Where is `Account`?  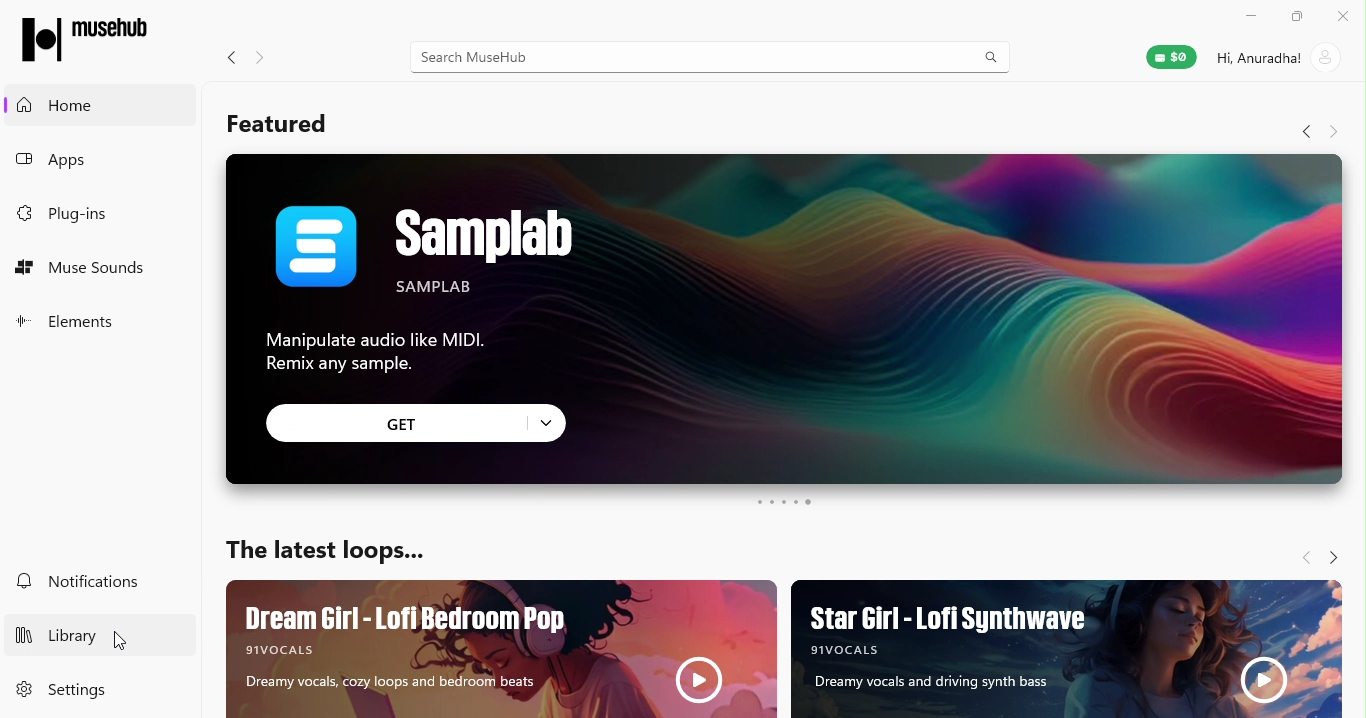 Account is located at coordinates (1281, 59).